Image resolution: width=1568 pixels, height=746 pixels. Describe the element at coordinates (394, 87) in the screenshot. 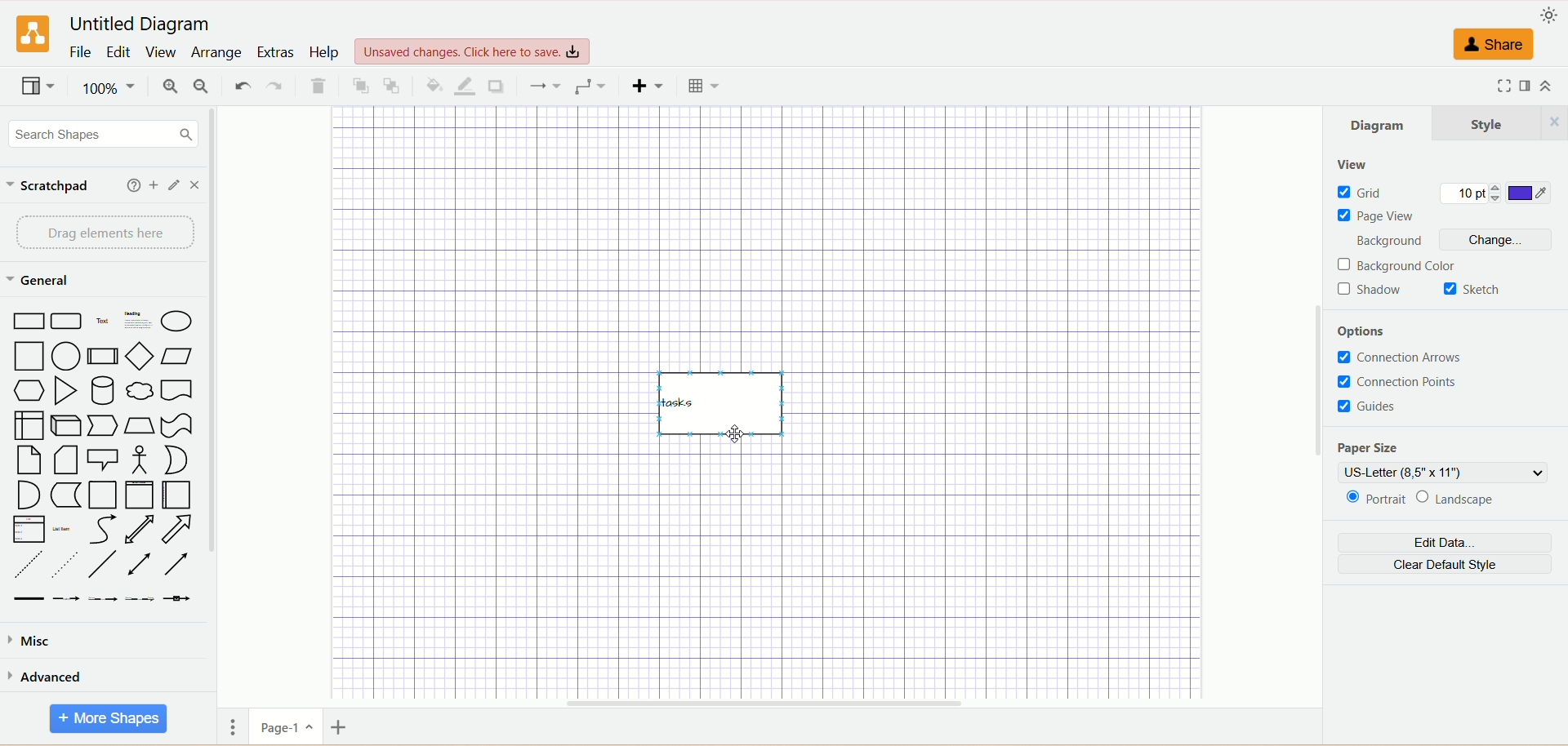

I see `go back` at that location.